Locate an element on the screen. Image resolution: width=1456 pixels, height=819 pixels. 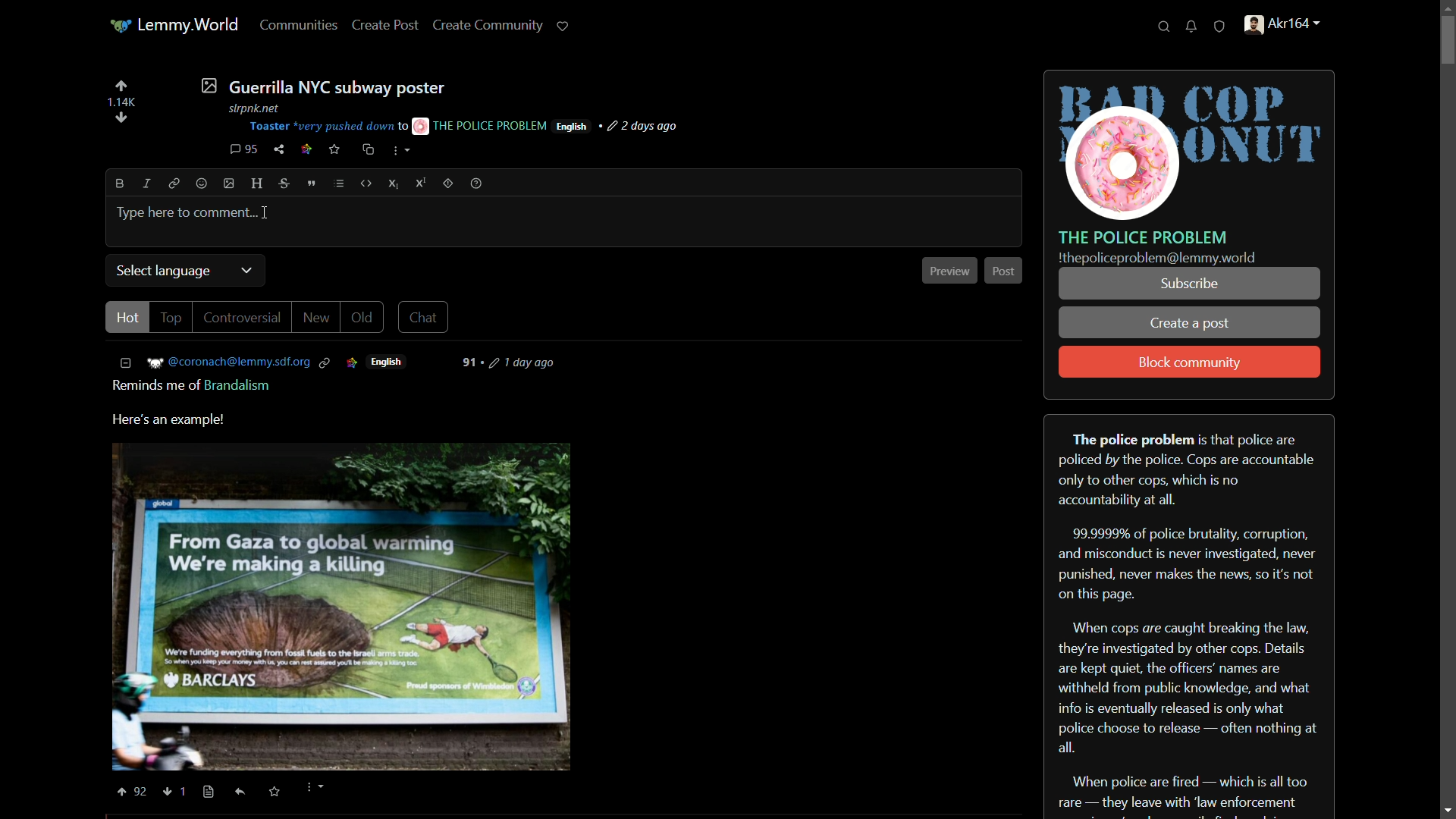
bold is located at coordinates (121, 184).